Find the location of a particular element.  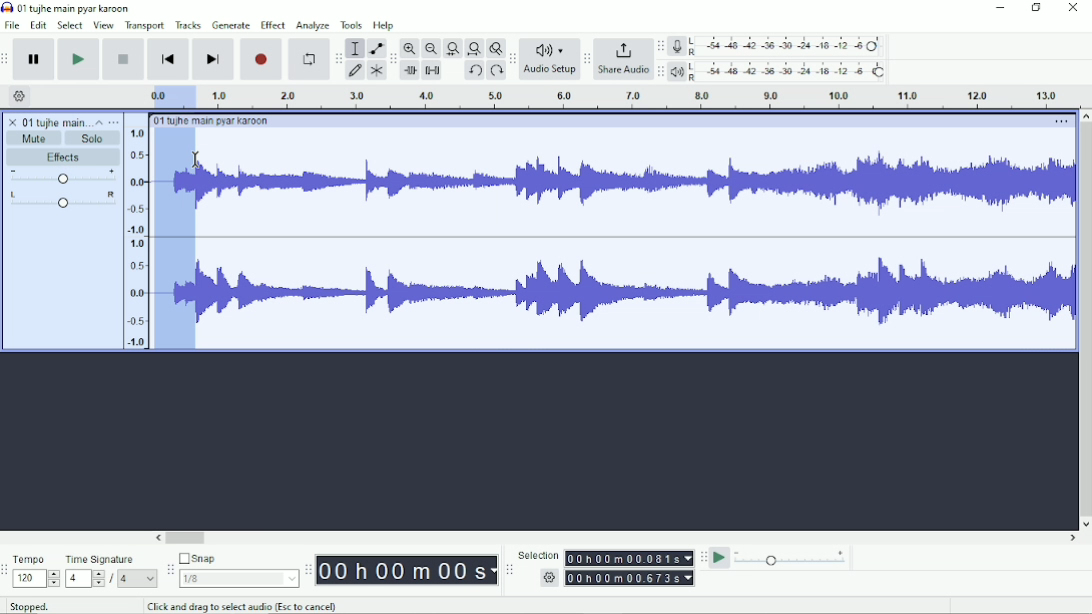

Audacity share audio toolbar is located at coordinates (587, 60).